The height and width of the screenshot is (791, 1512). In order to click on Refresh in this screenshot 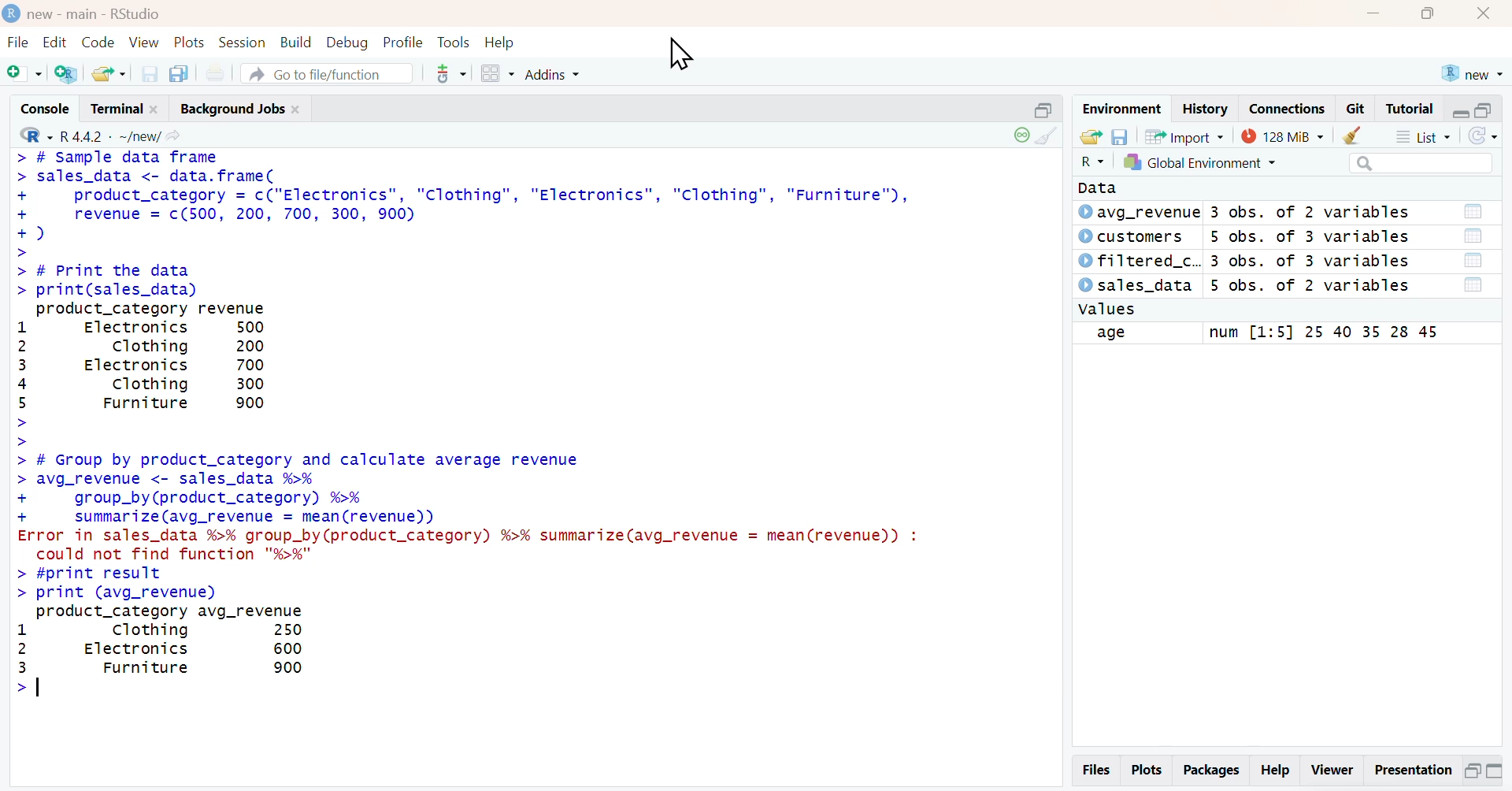, I will do `click(1482, 136)`.